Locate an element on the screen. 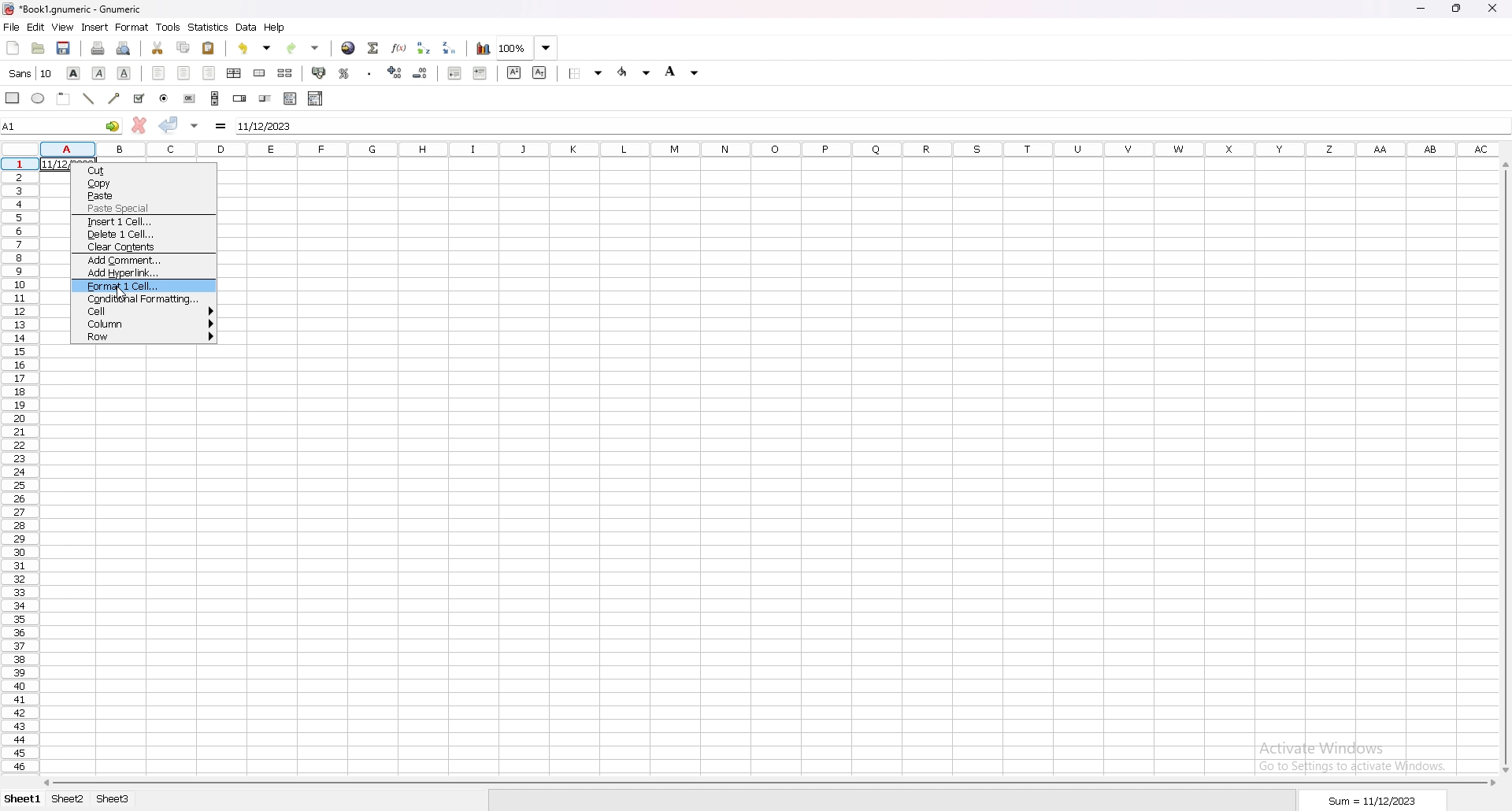 The width and height of the screenshot is (1512, 811). tickbox is located at coordinates (140, 98).